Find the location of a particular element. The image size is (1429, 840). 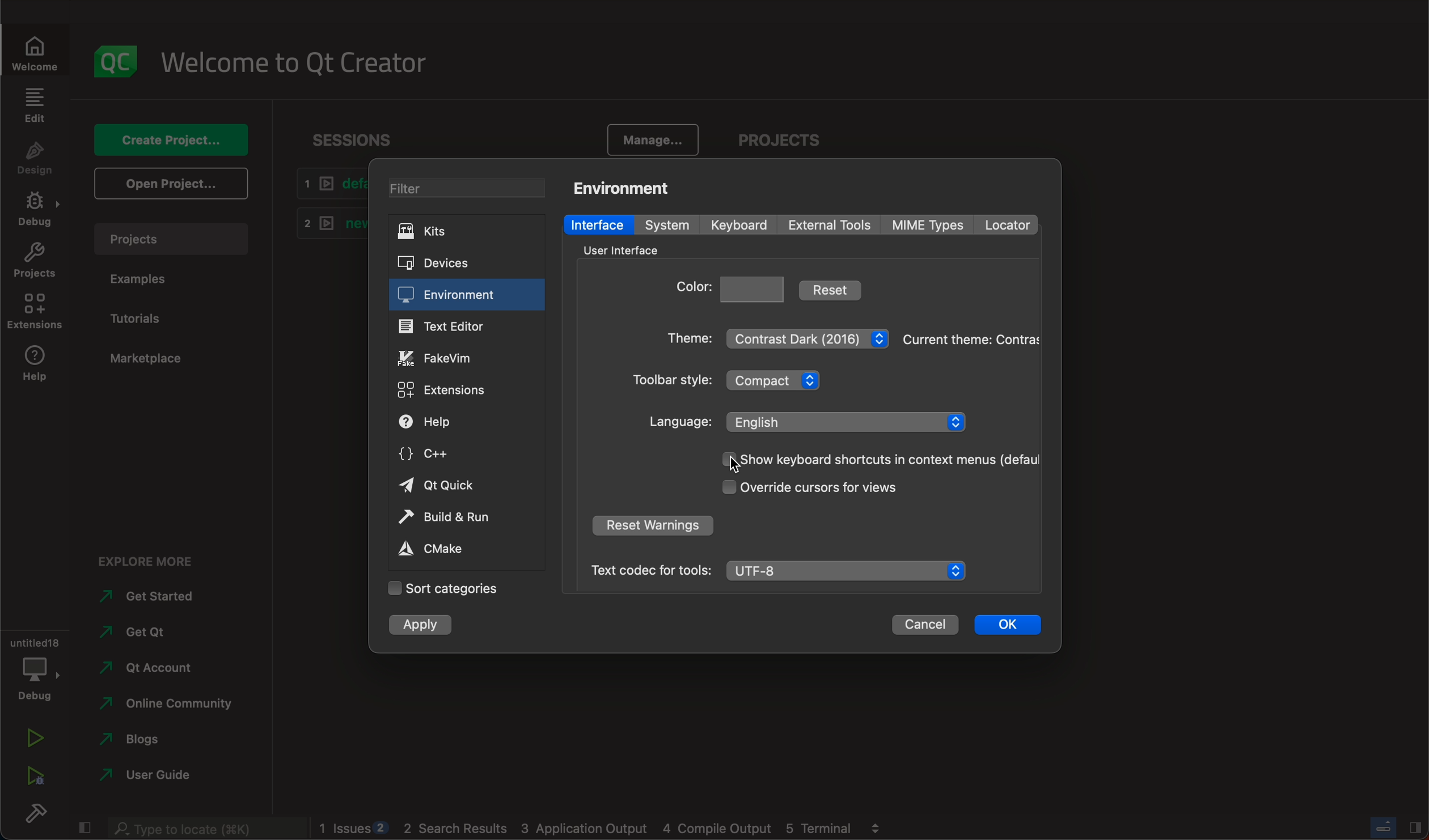

run is located at coordinates (32, 740).